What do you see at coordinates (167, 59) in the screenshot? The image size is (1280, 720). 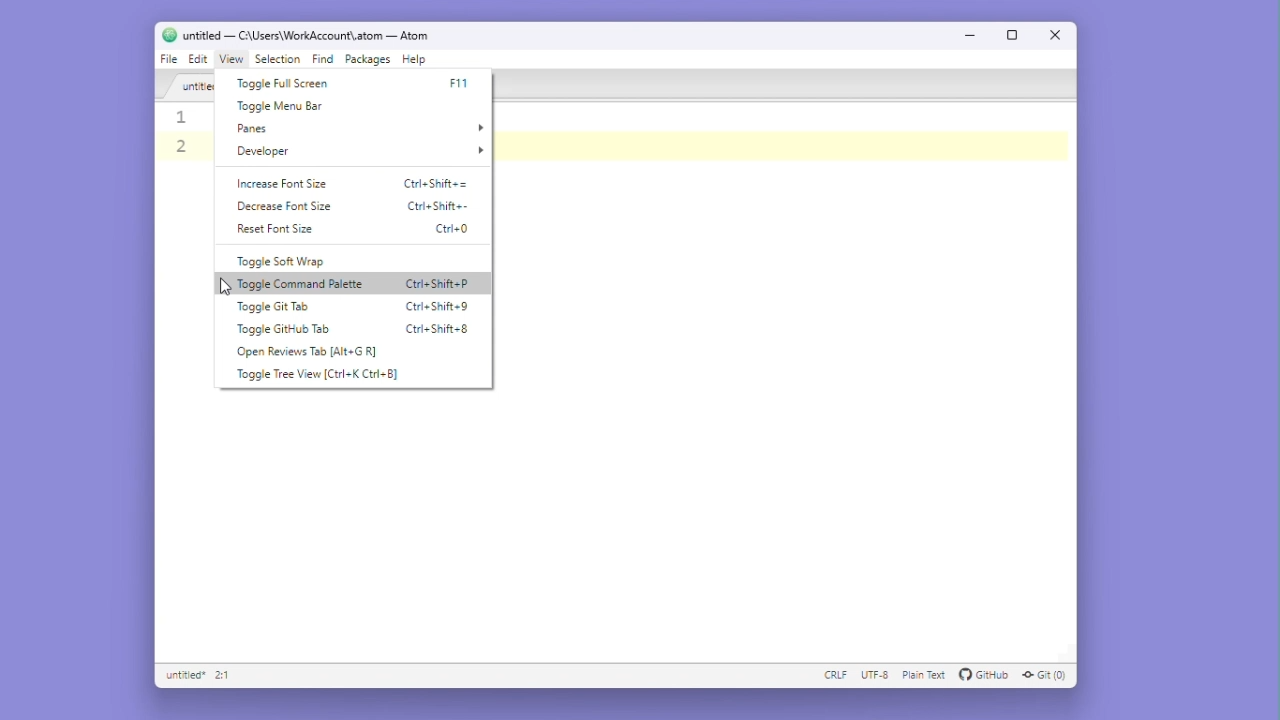 I see `file` at bounding box center [167, 59].